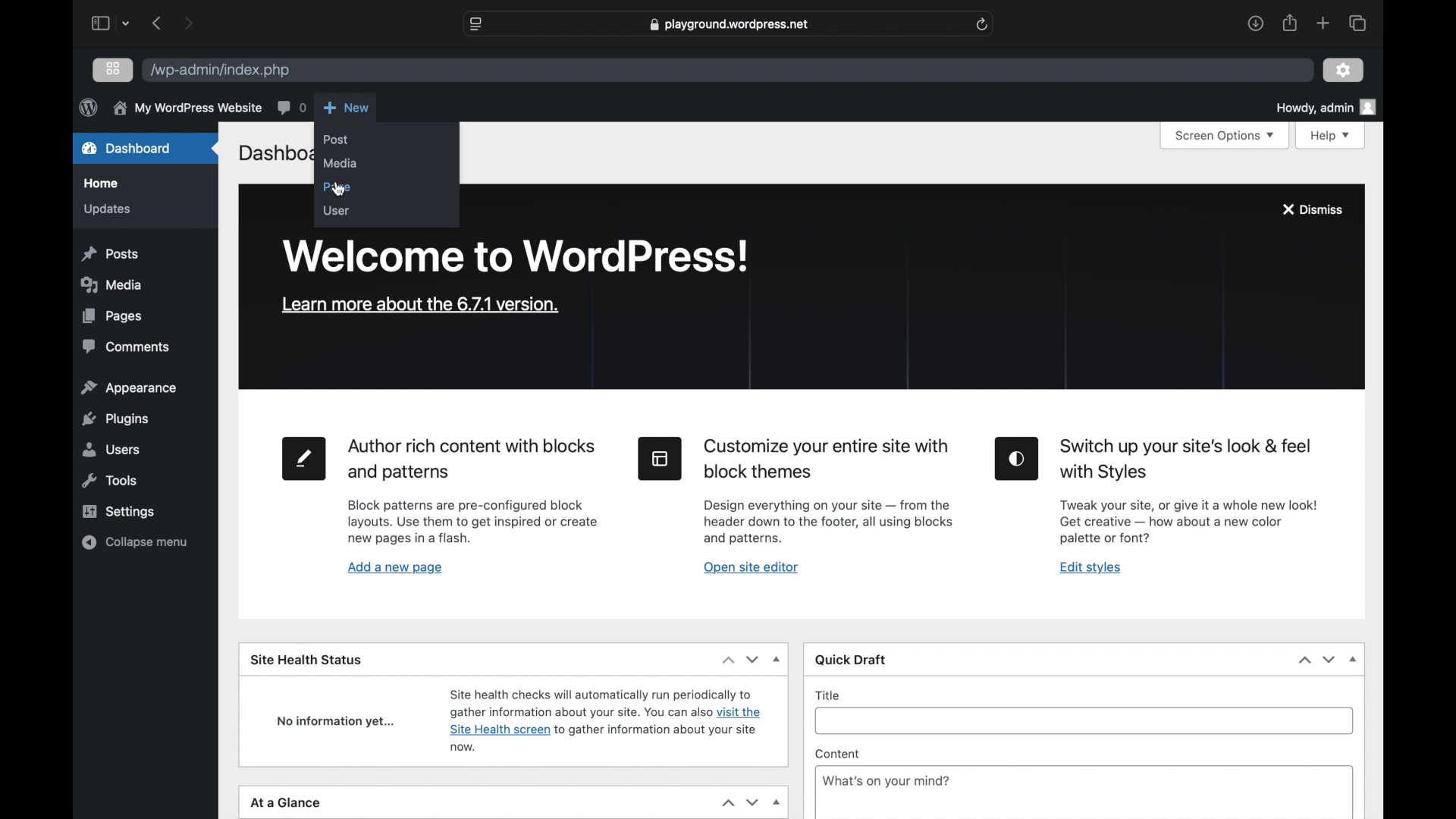 The width and height of the screenshot is (1456, 819). What do you see at coordinates (828, 696) in the screenshot?
I see `title` at bounding box center [828, 696].